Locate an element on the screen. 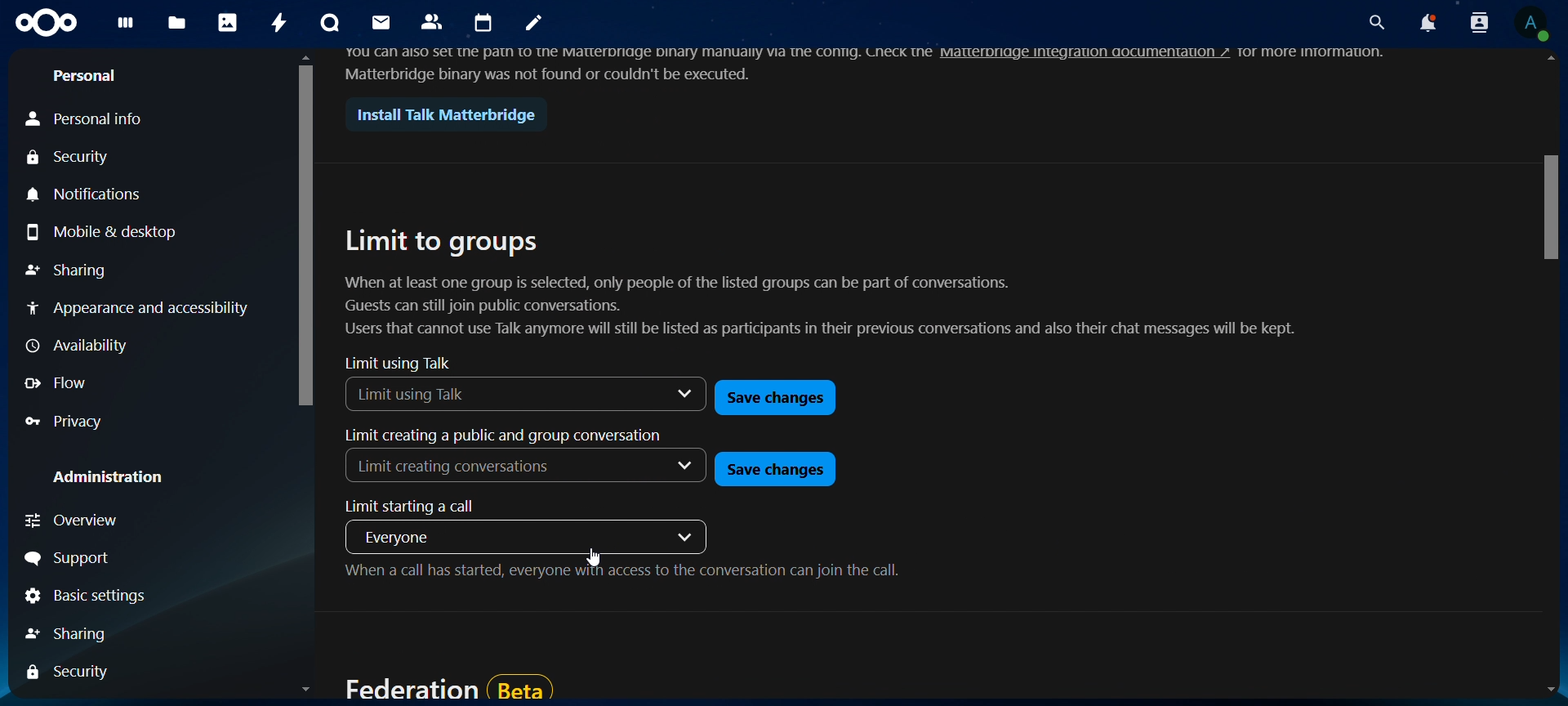 This screenshot has height=706, width=1568. Appearence is located at coordinates (140, 310).